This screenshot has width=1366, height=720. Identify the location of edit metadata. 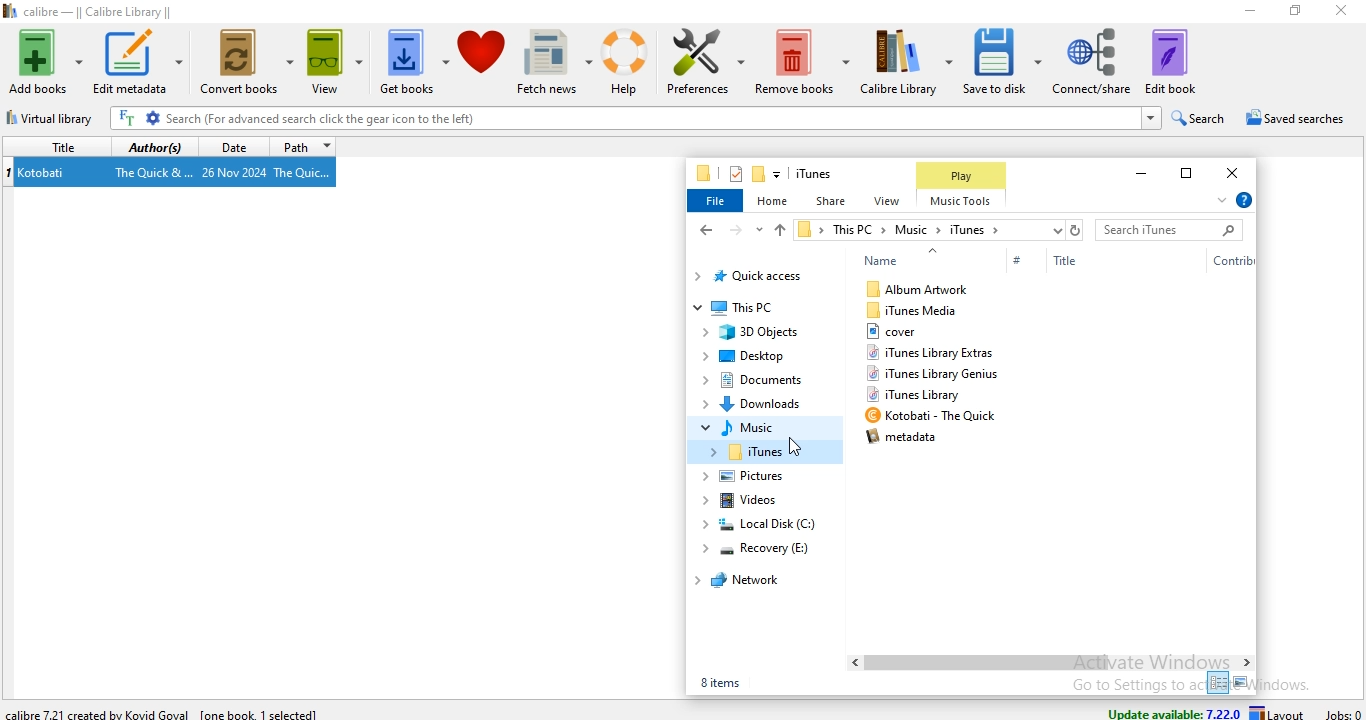
(138, 61).